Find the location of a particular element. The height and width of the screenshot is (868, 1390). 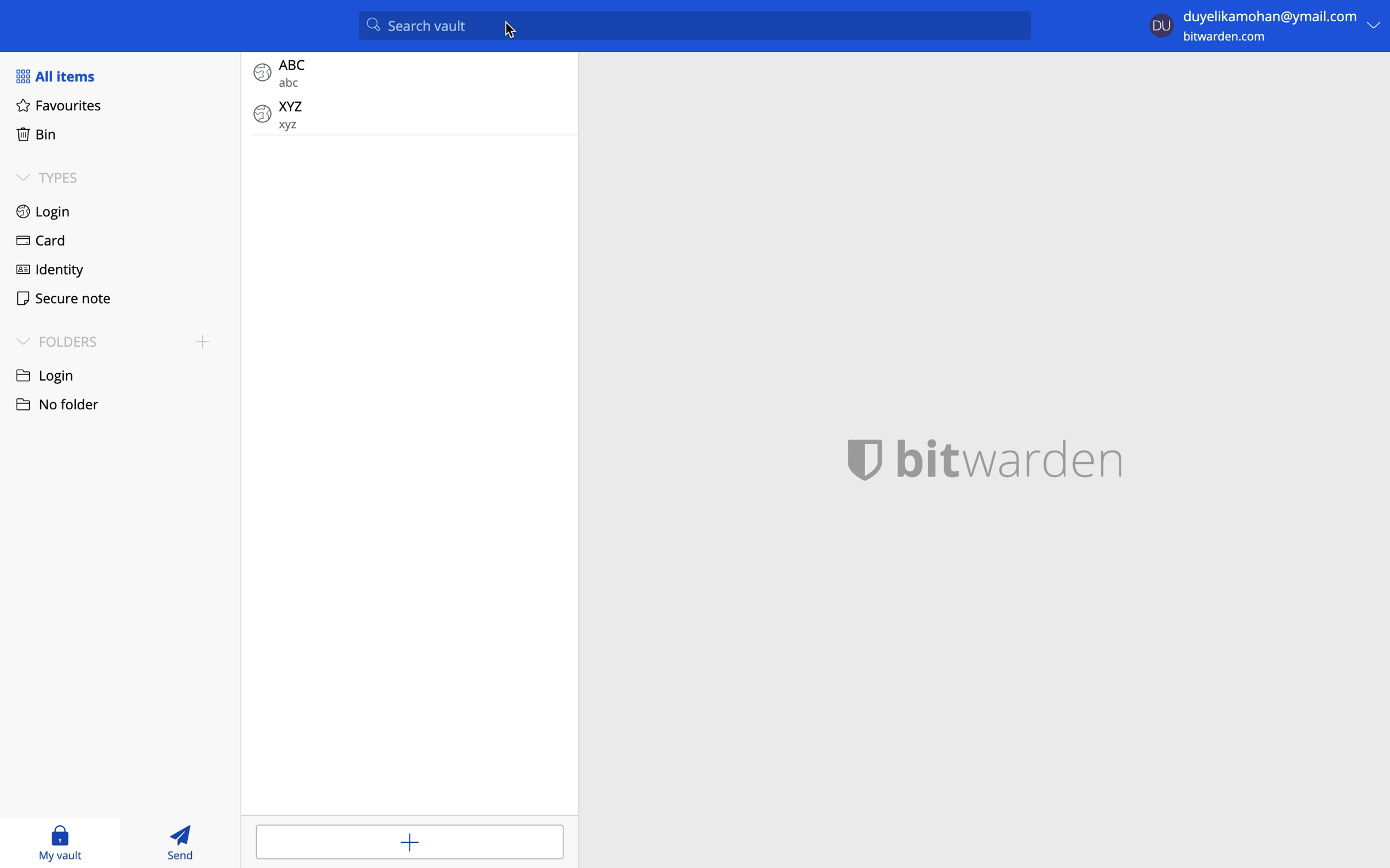

folders is located at coordinates (58, 341).